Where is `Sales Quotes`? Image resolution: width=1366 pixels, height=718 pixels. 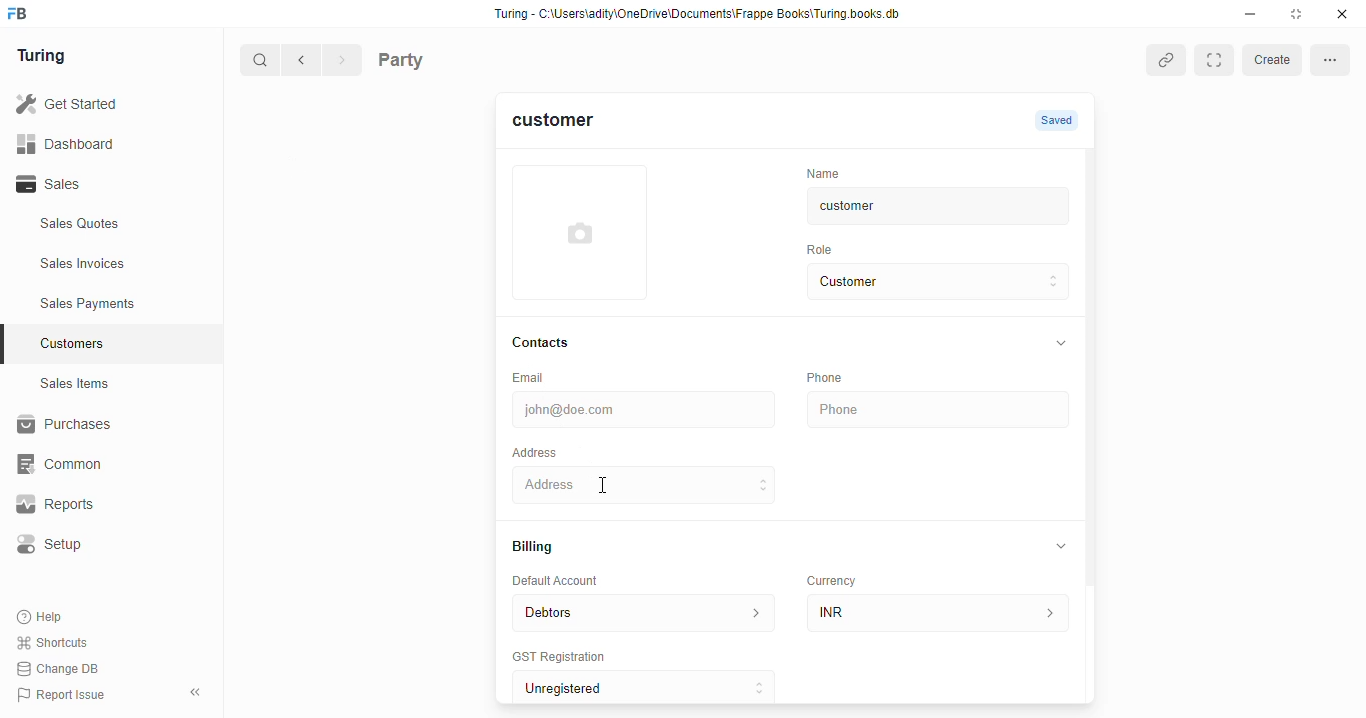 Sales Quotes is located at coordinates (107, 226).